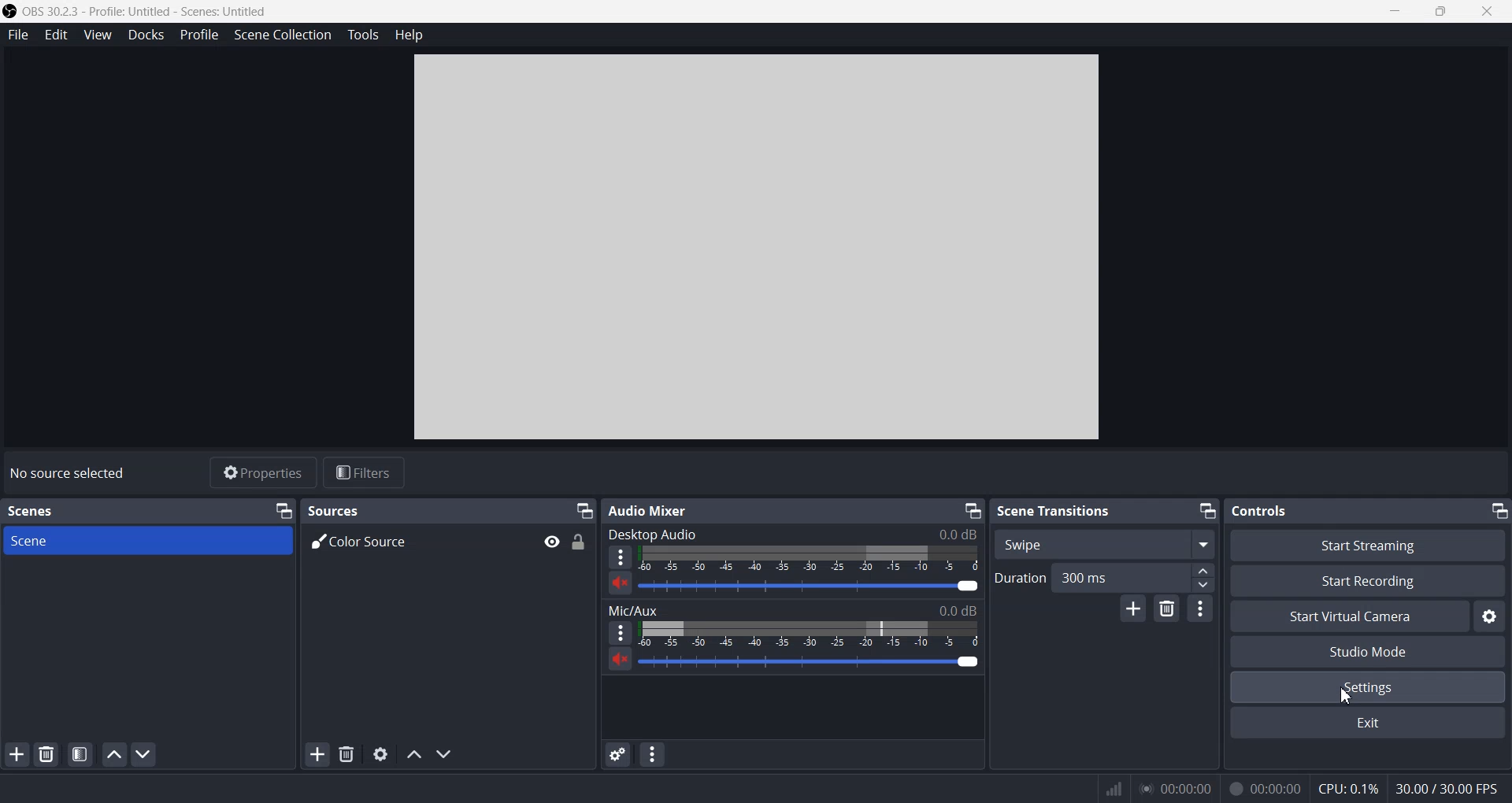 This screenshot has width=1512, height=803. I want to click on Start Streaming, so click(1369, 544).